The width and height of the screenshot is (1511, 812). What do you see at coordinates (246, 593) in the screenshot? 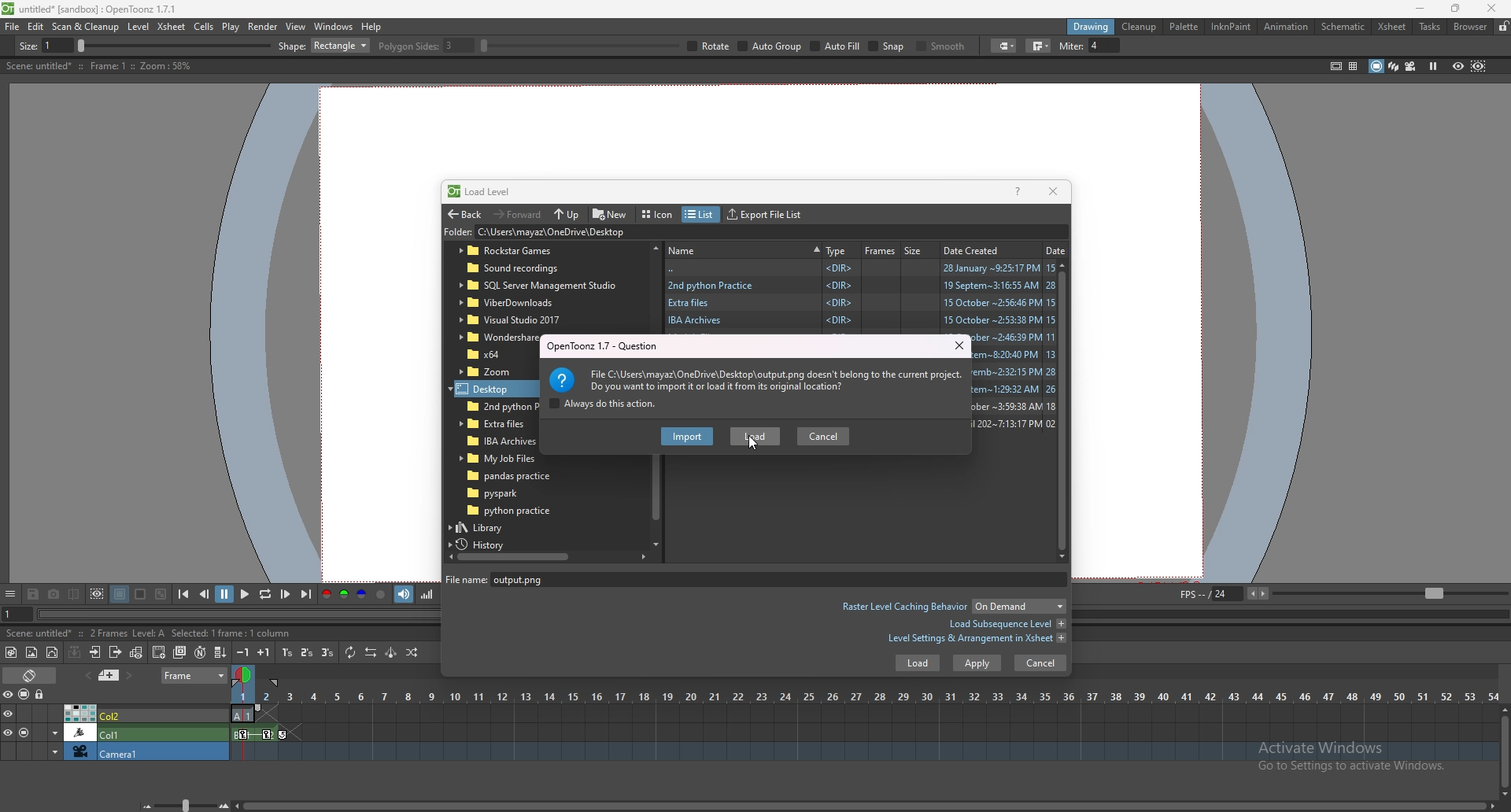
I see `play` at bounding box center [246, 593].